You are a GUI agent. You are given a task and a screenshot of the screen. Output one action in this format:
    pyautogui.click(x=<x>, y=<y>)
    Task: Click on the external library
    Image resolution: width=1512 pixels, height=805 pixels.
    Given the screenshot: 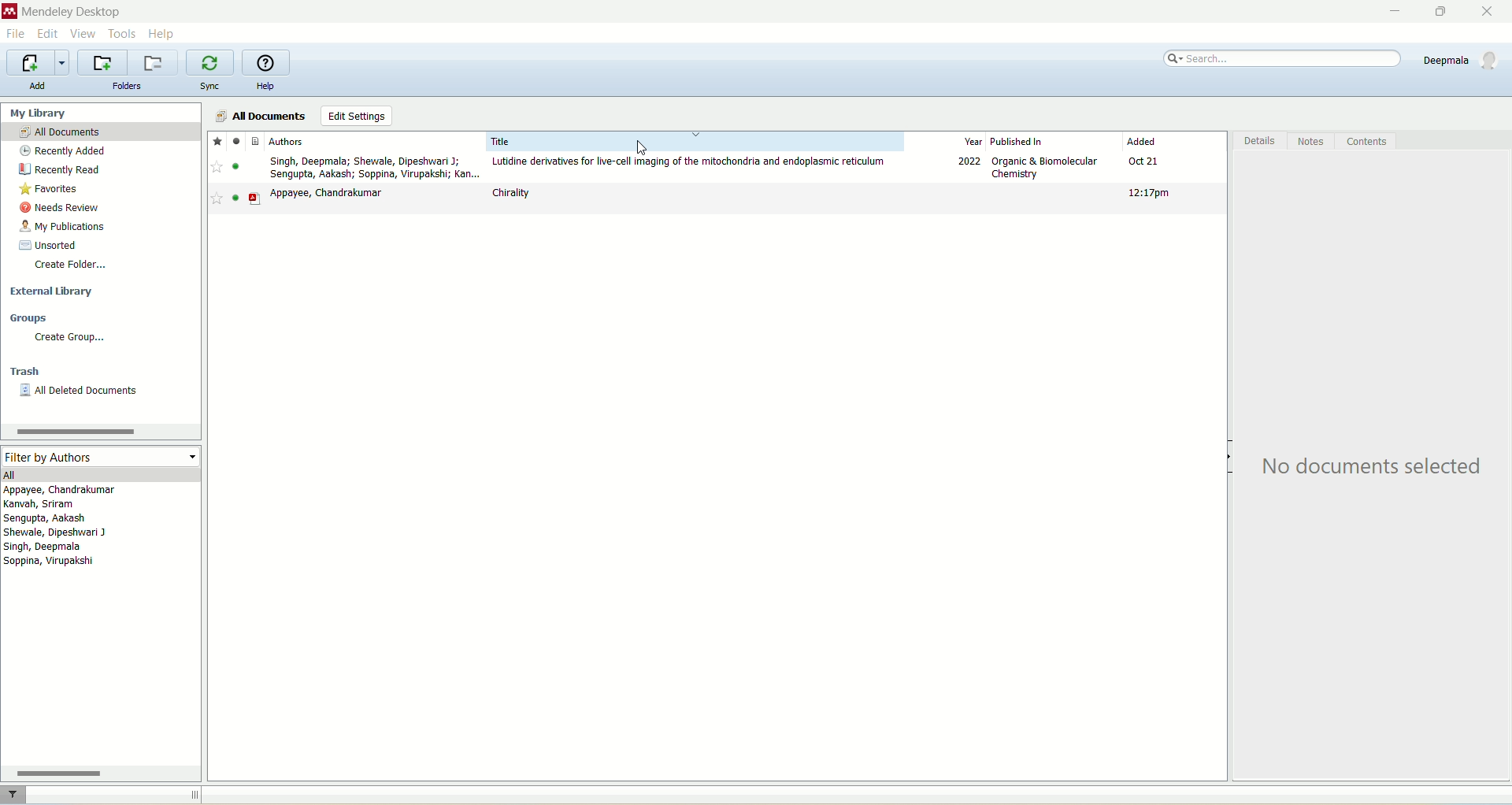 What is the action you would take?
    pyautogui.click(x=50, y=292)
    